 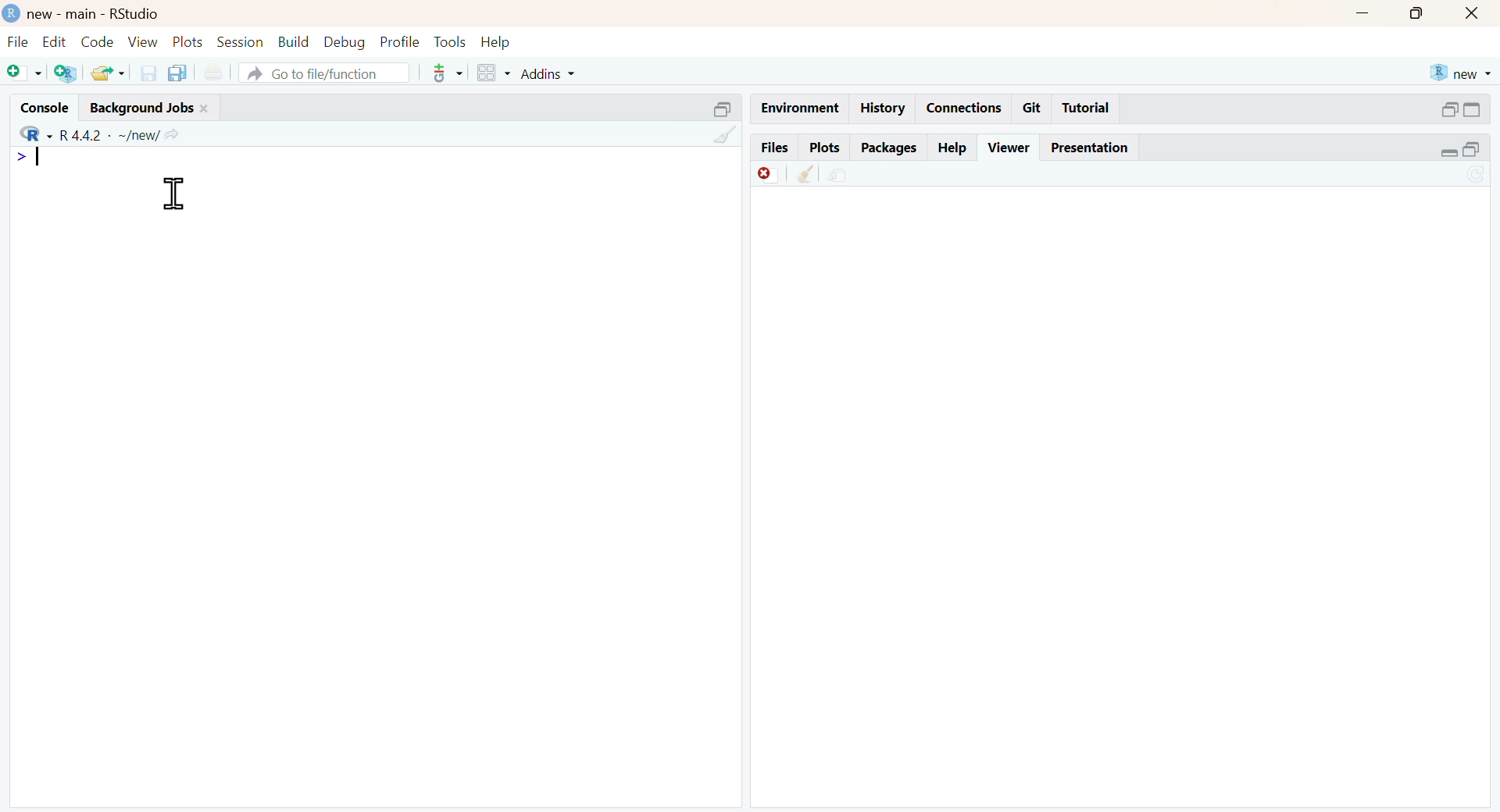 I want to click on maximise, so click(x=1418, y=13).